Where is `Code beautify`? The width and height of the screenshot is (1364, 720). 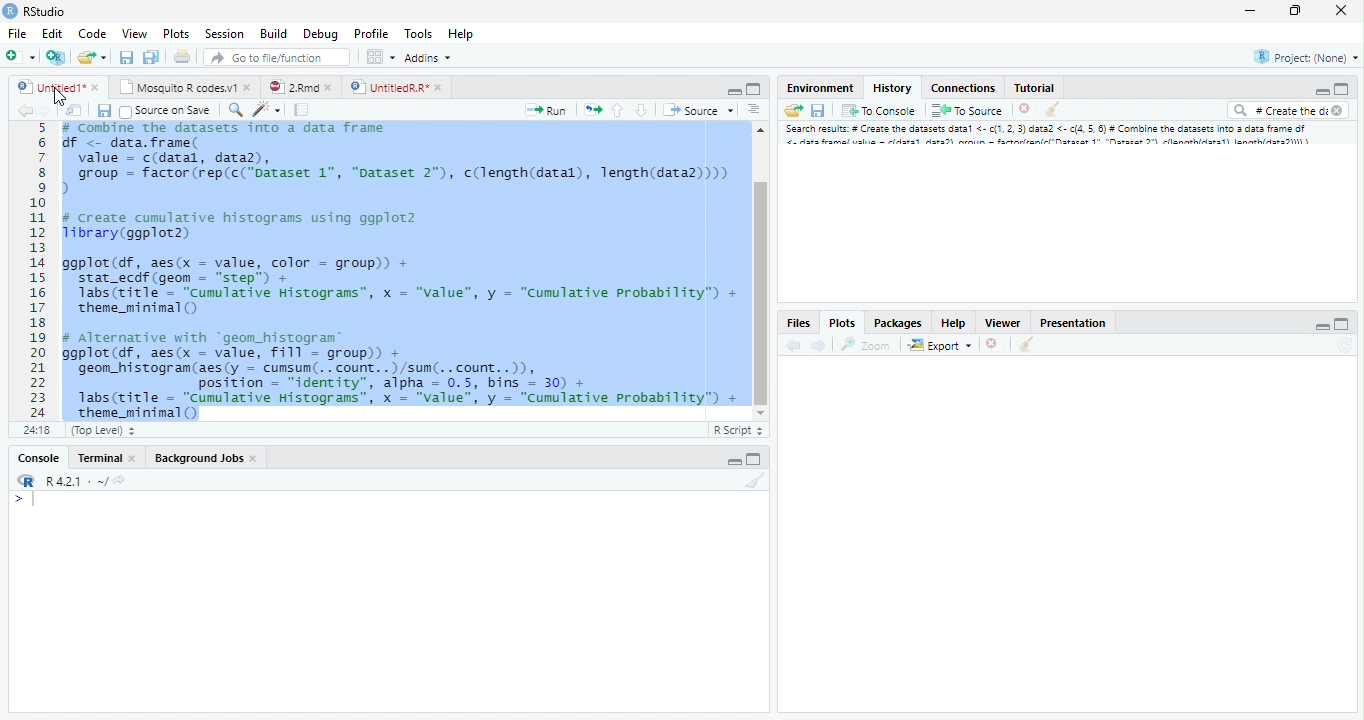 Code beautify is located at coordinates (269, 110).